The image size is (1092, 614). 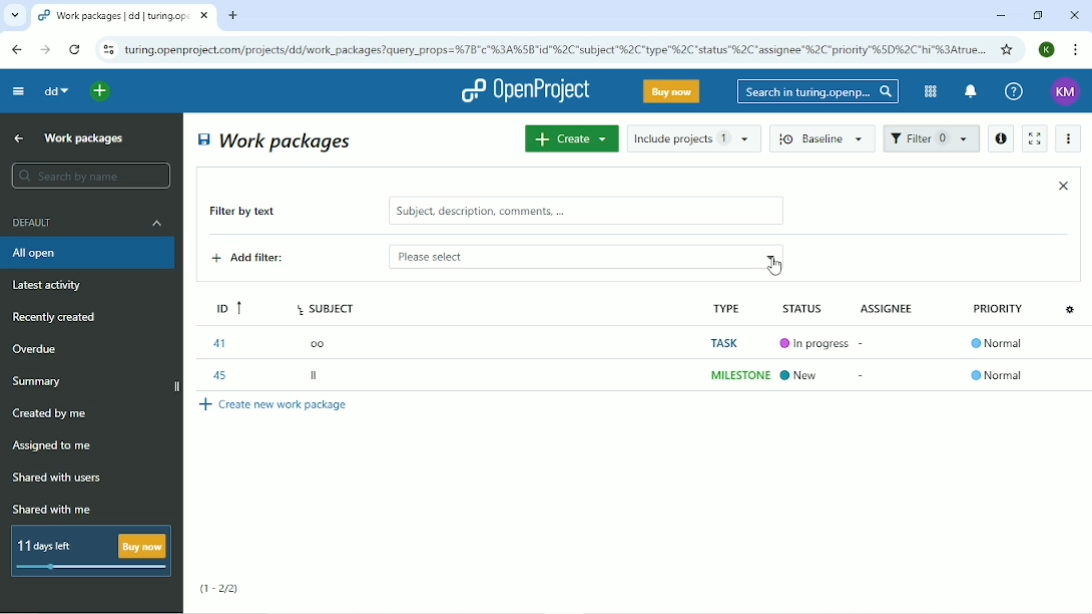 What do you see at coordinates (89, 222) in the screenshot?
I see `Default` at bounding box center [89, 222].